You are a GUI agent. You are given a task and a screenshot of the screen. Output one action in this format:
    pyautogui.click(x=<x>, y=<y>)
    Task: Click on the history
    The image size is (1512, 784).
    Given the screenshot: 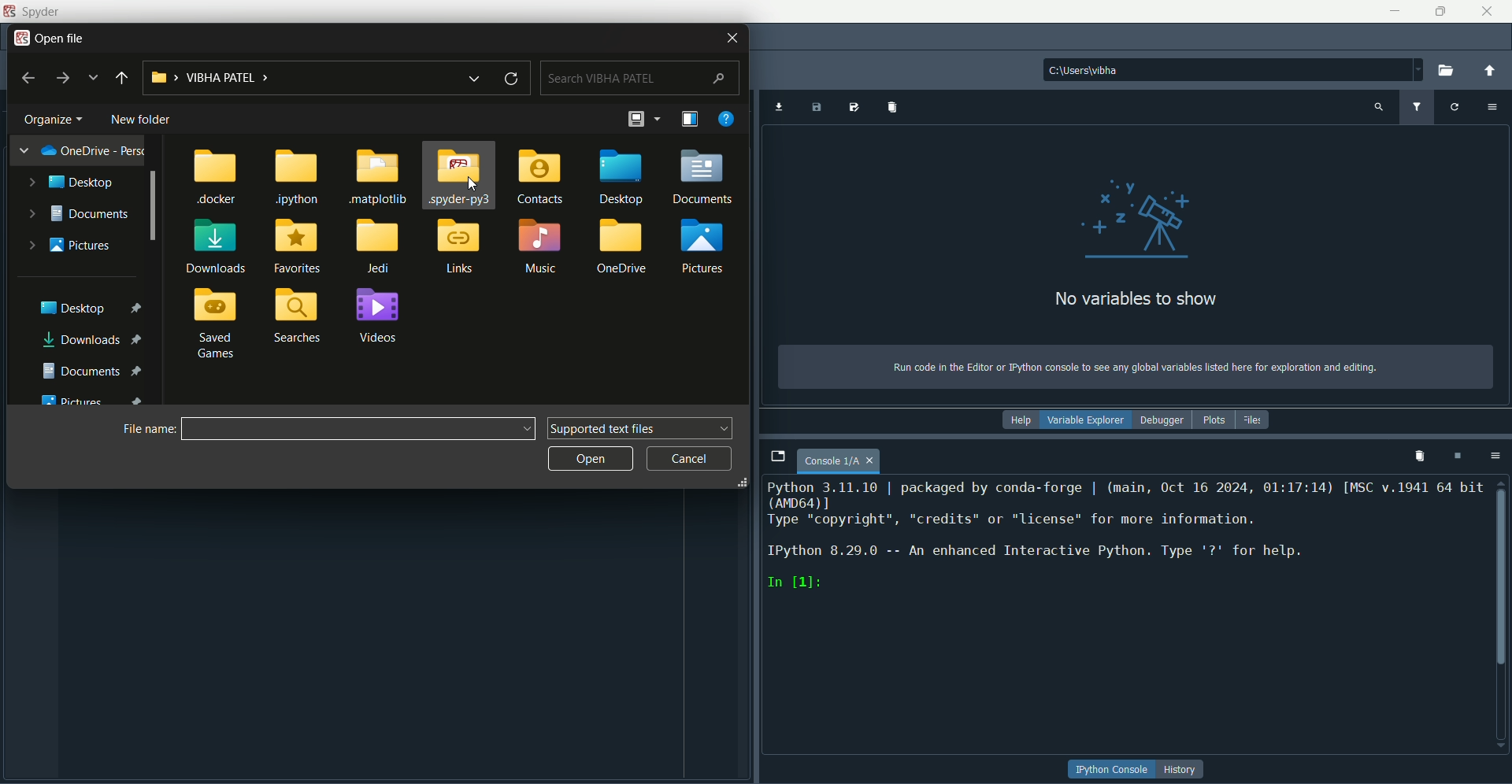 What is the action you would take?
    pyautogui.click(x=1184, y=770)
    